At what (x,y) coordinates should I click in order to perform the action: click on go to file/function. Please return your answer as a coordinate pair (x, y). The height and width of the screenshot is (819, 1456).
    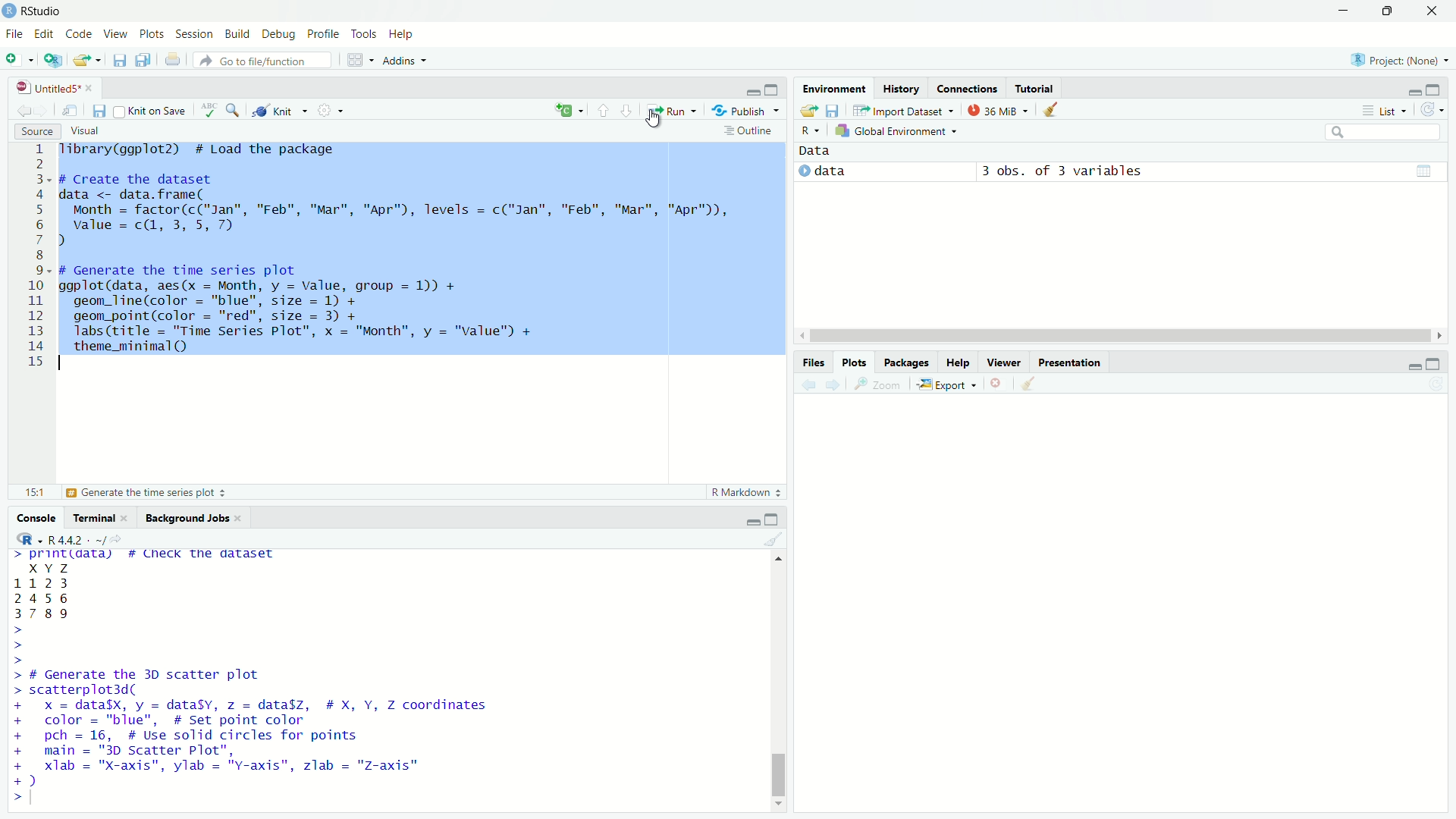
    Looking at the image, I should click on (262, 60).